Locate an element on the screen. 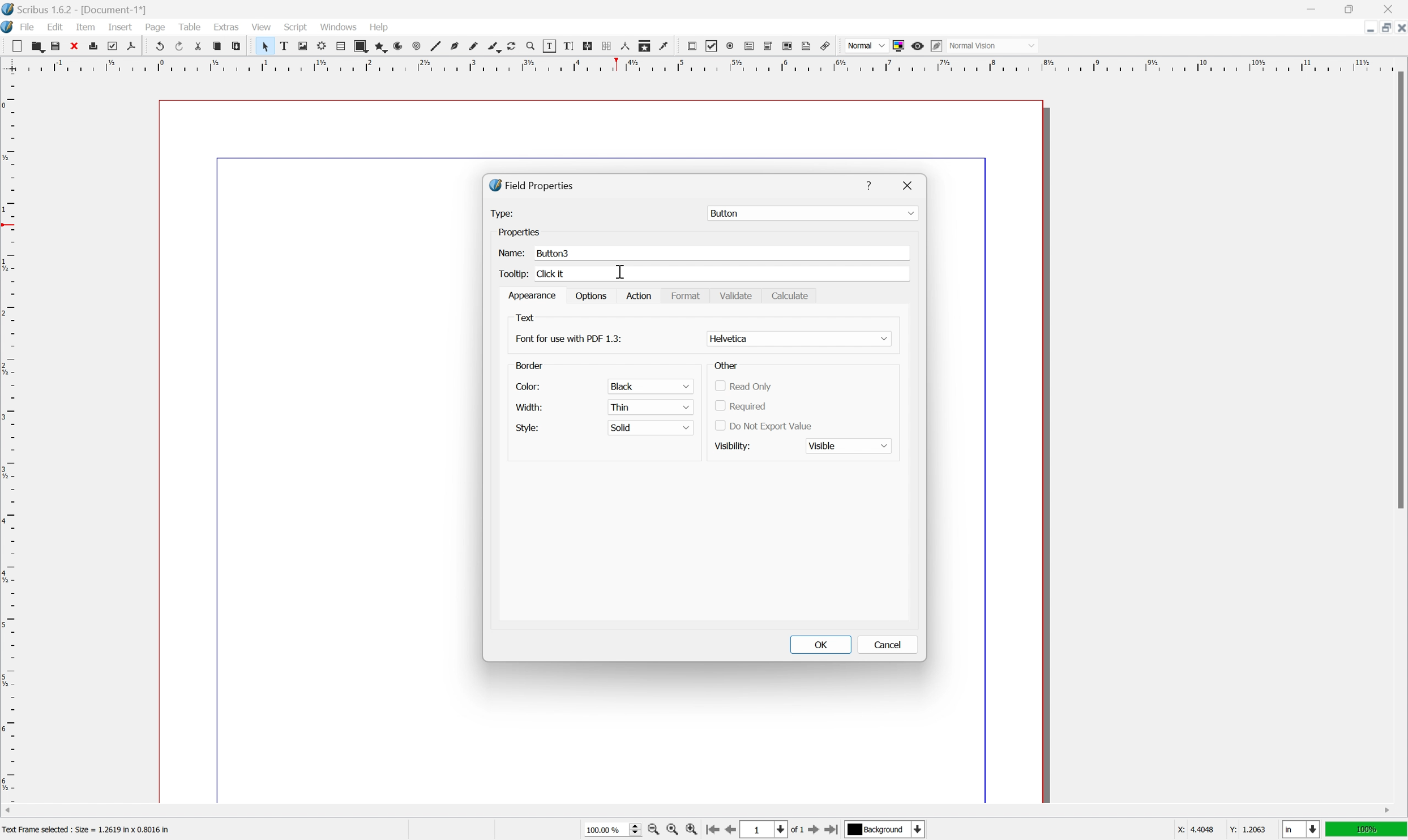 Image resolution: width=1408 pixels, height=840 pixels. Button is located at coordinates (811, 213).